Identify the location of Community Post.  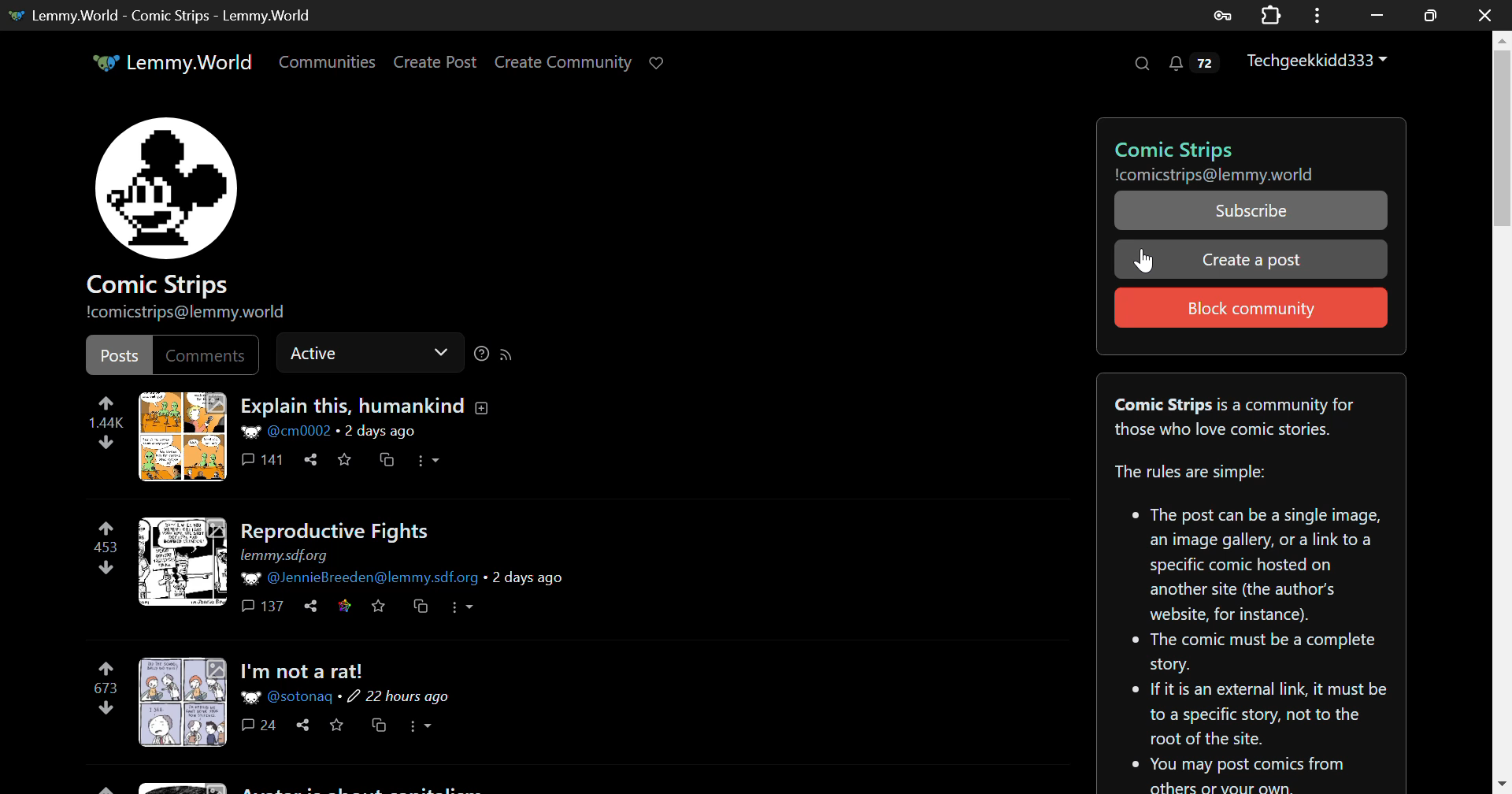
(323, 785).